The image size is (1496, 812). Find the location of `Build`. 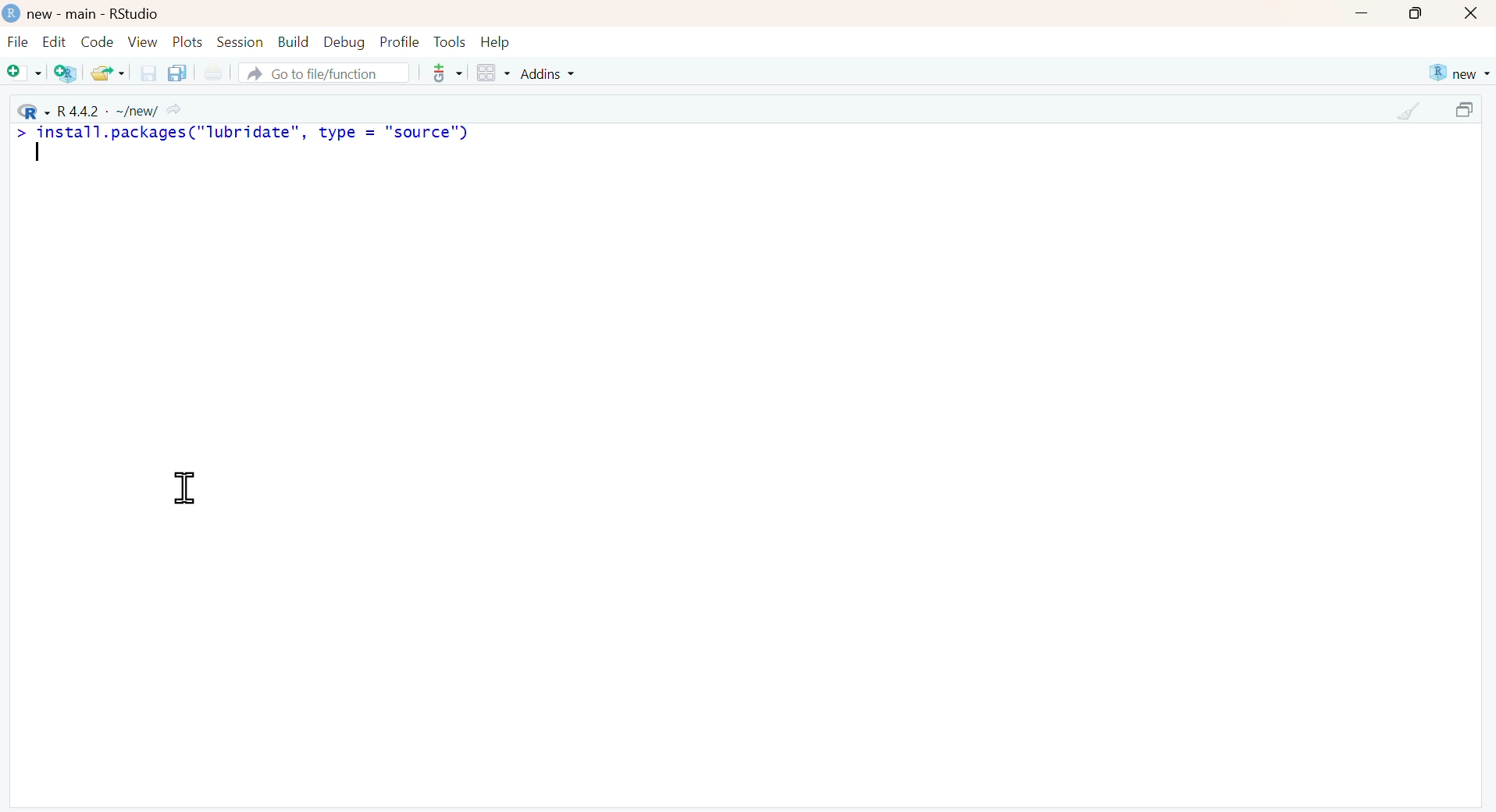

Build is located at coordinates (293, 42).